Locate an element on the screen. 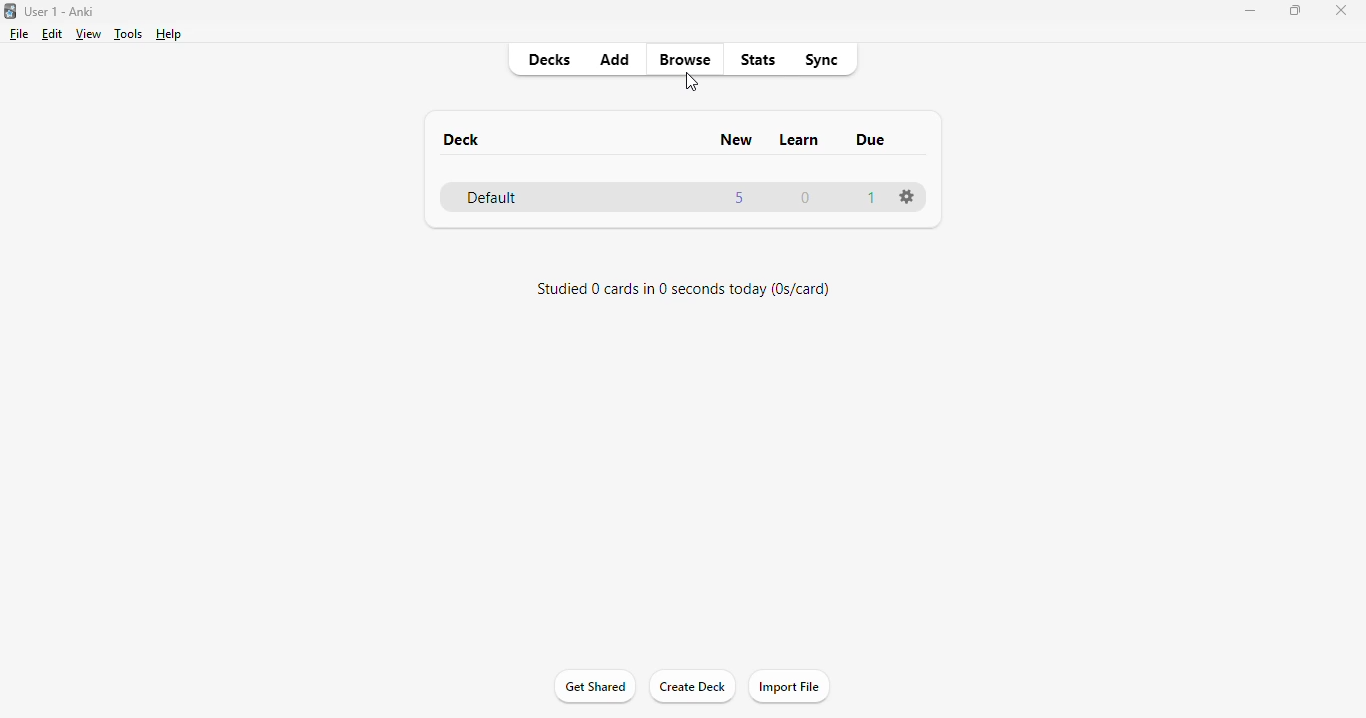  import file is located at coordinates (789, 686).